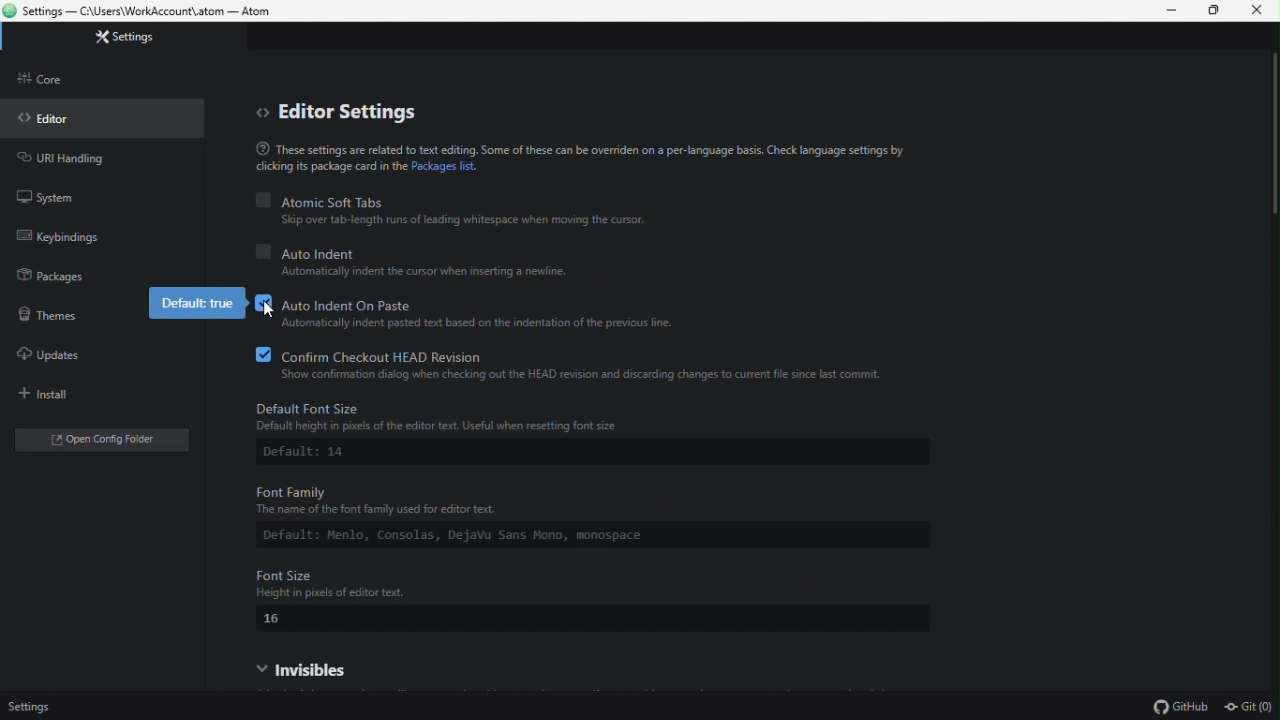  What do you see at coordinates (1167, 13) in the screenshot?
I see `Minimize` at bounding box center [1167, 13].